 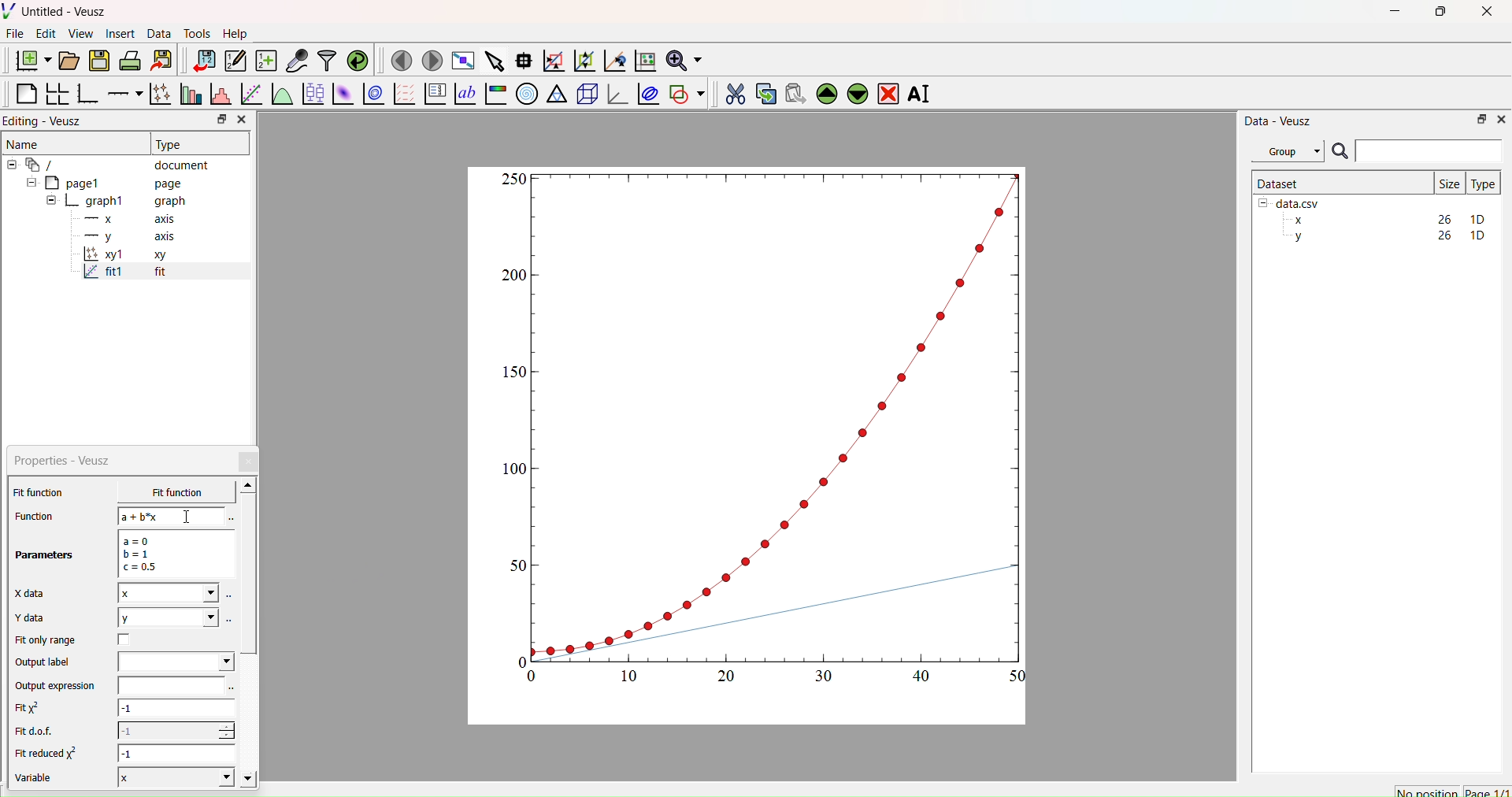 What do you see at coordinates (230, 599) in the screenshot?
I see `Select using dataset browser` at bounding box center [230, 599].